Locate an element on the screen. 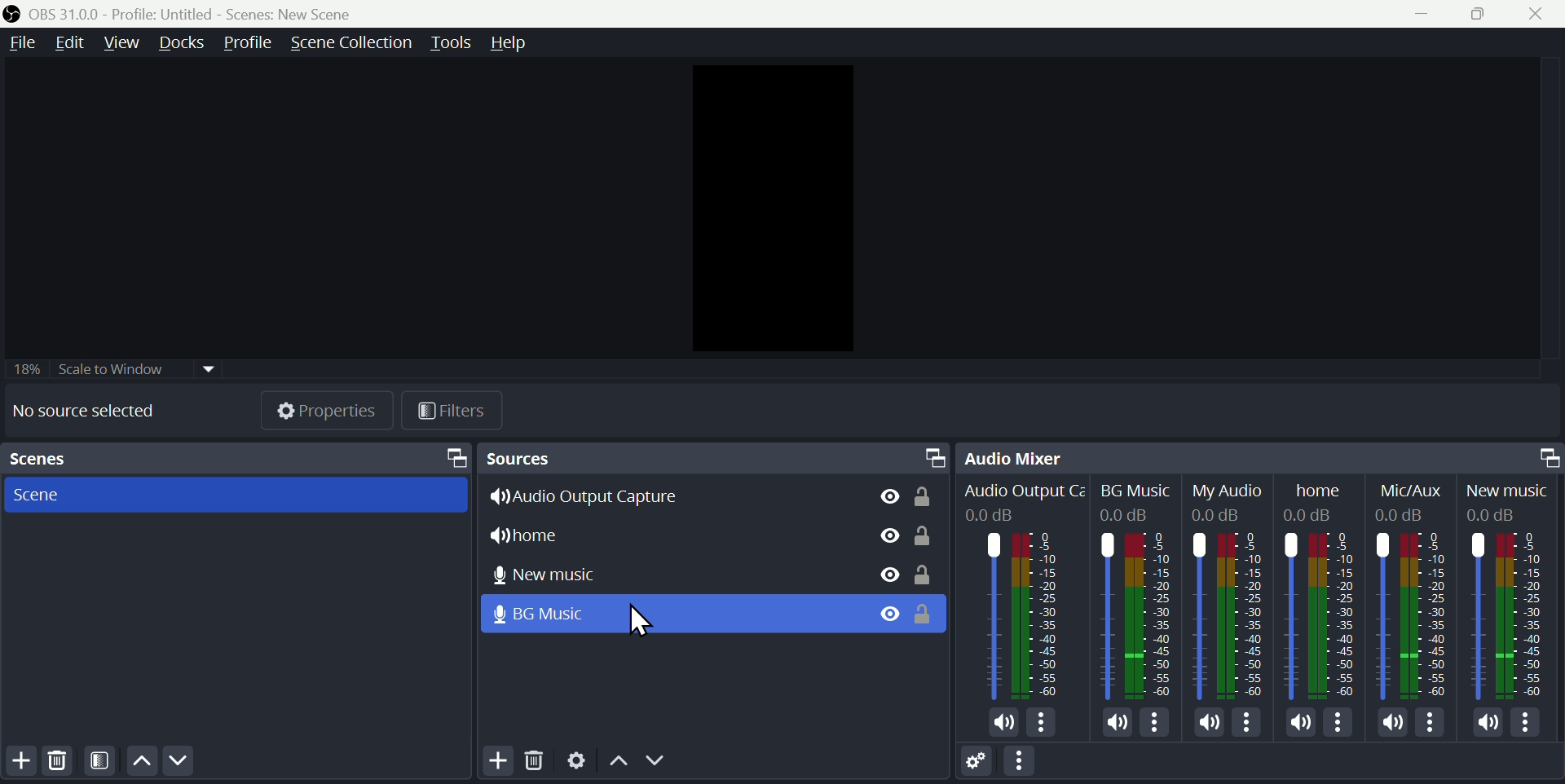 This screenshot has width=1565, height=784. More is located at coordinates (1045, 724).